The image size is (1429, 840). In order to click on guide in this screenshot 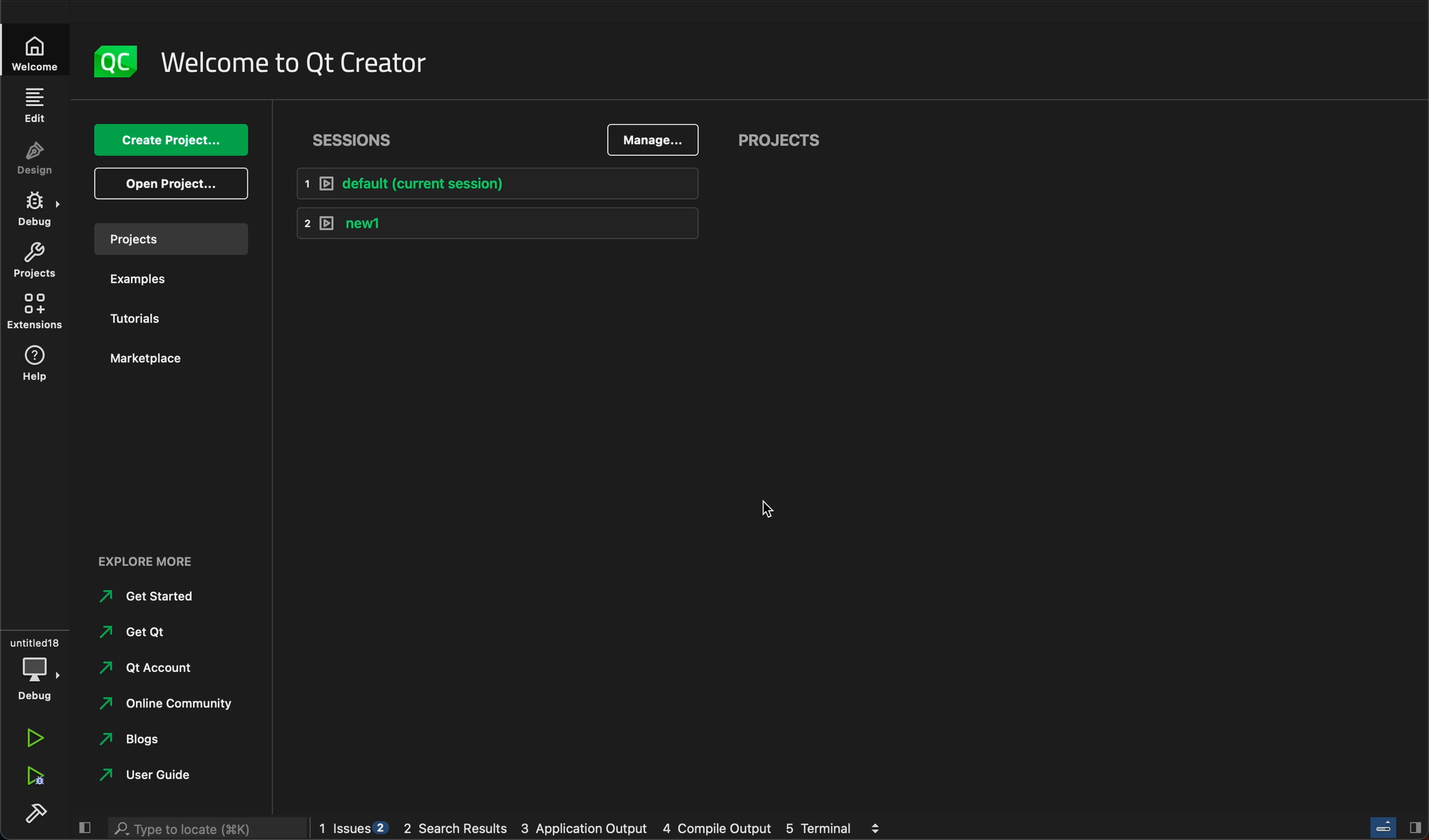, I will do `click(156, 777)`.